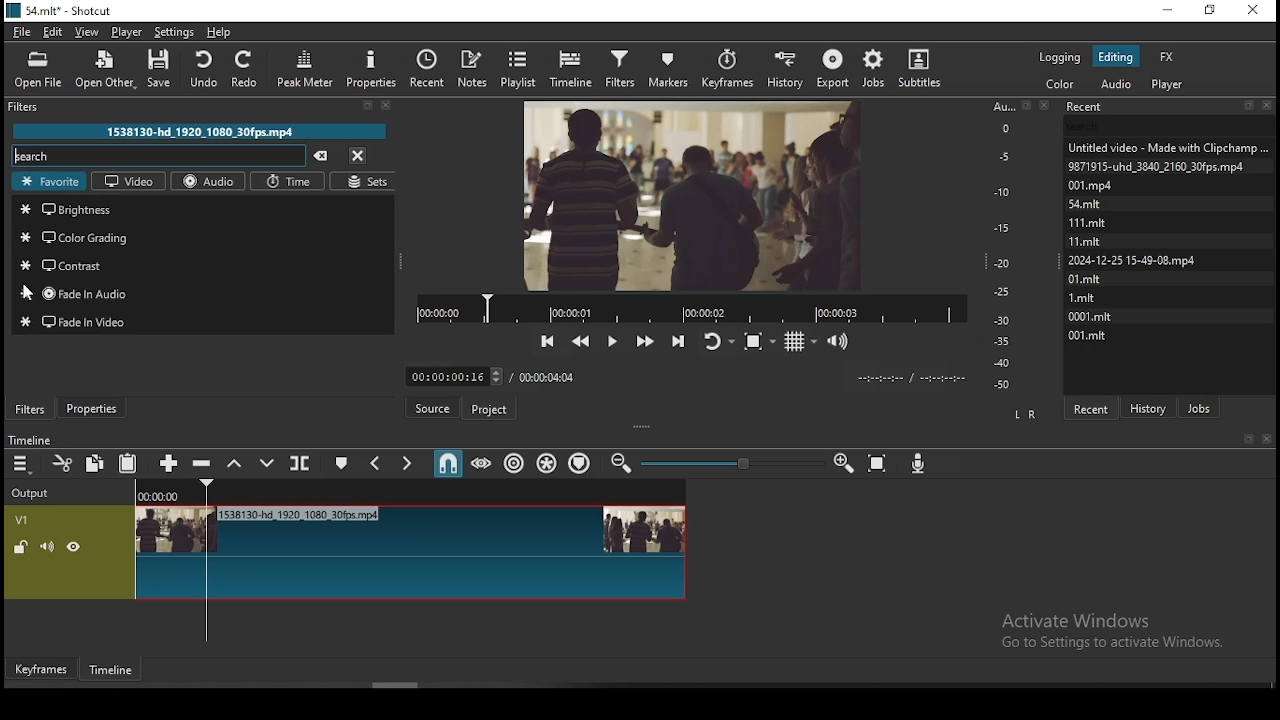 The width and height of the screenshot is (1280, 720). I want to click on copy, so click(95, 462).